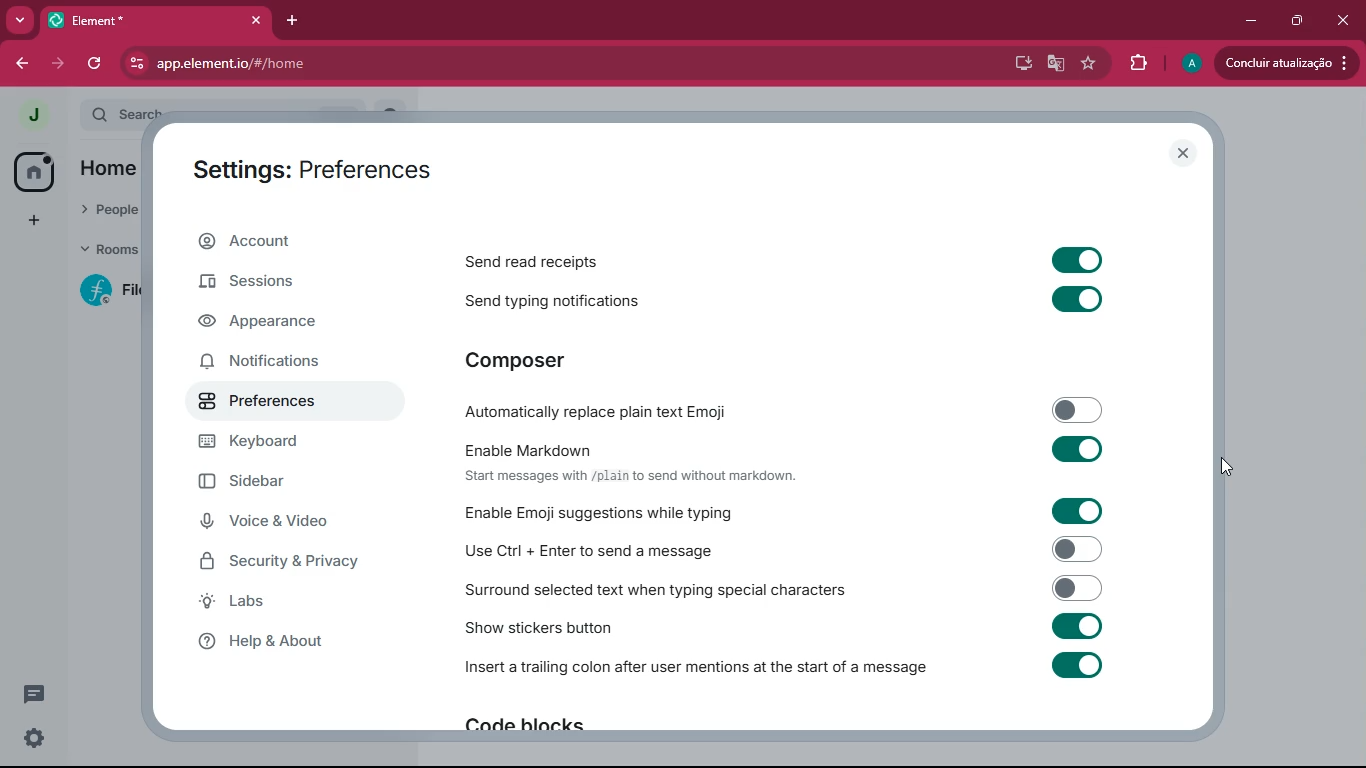 The height and width of the screenshot is (768, 1366). I want to click on more, so click(20, 21).